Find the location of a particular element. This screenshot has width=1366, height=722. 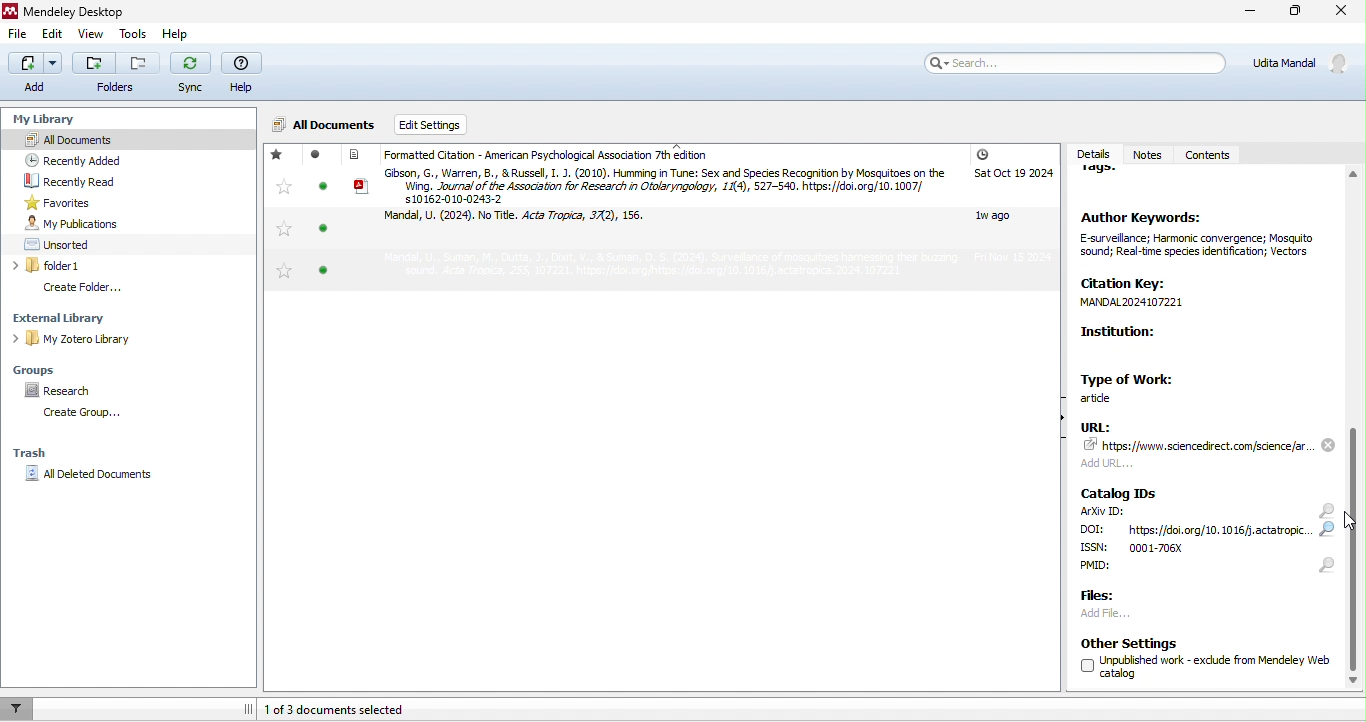

help is located at coordinates (173, 34).